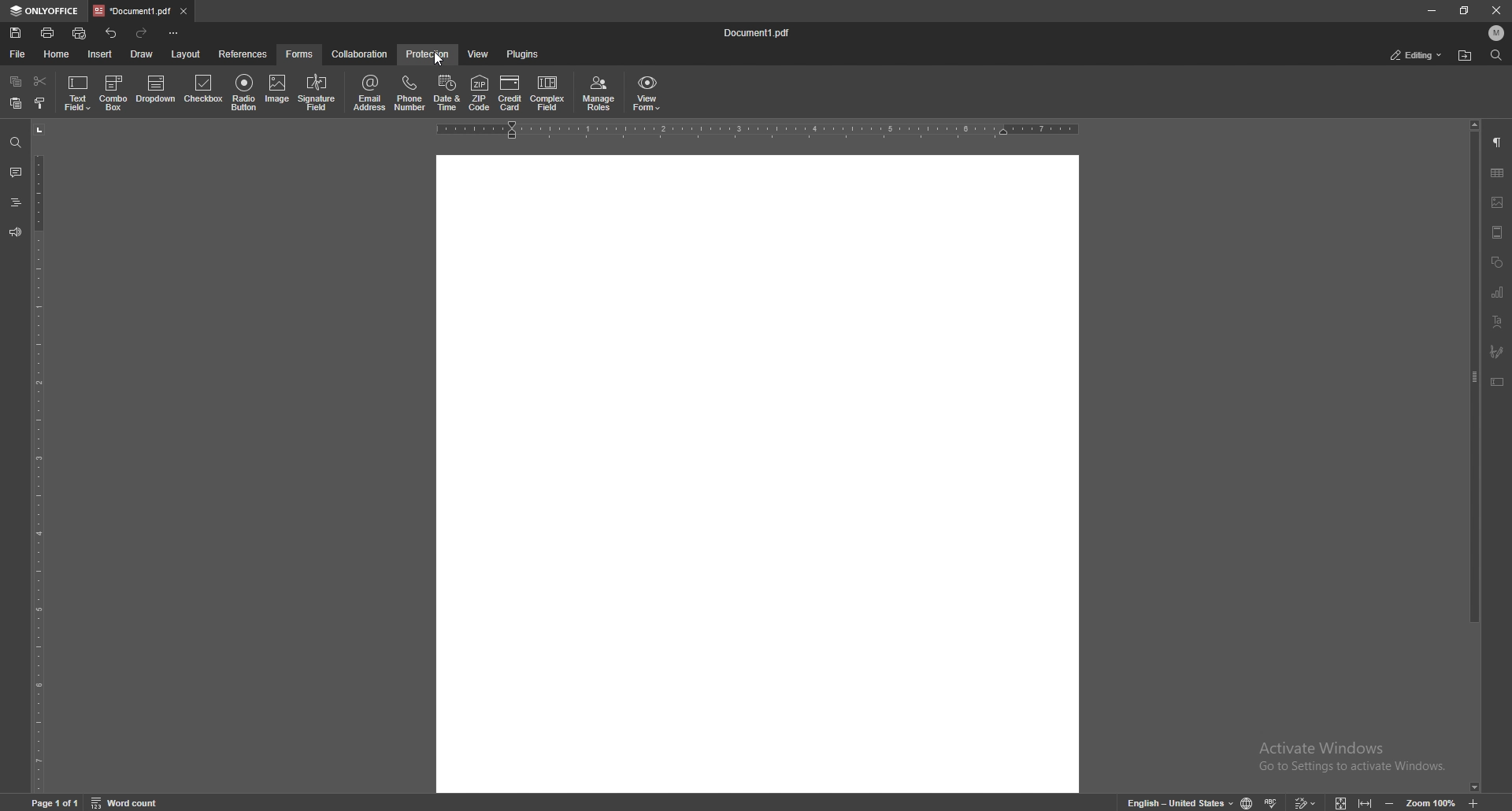  What do you see at coordinates (17, 33) in the screenshot?
I see `save` at bounding box center [17, 33].